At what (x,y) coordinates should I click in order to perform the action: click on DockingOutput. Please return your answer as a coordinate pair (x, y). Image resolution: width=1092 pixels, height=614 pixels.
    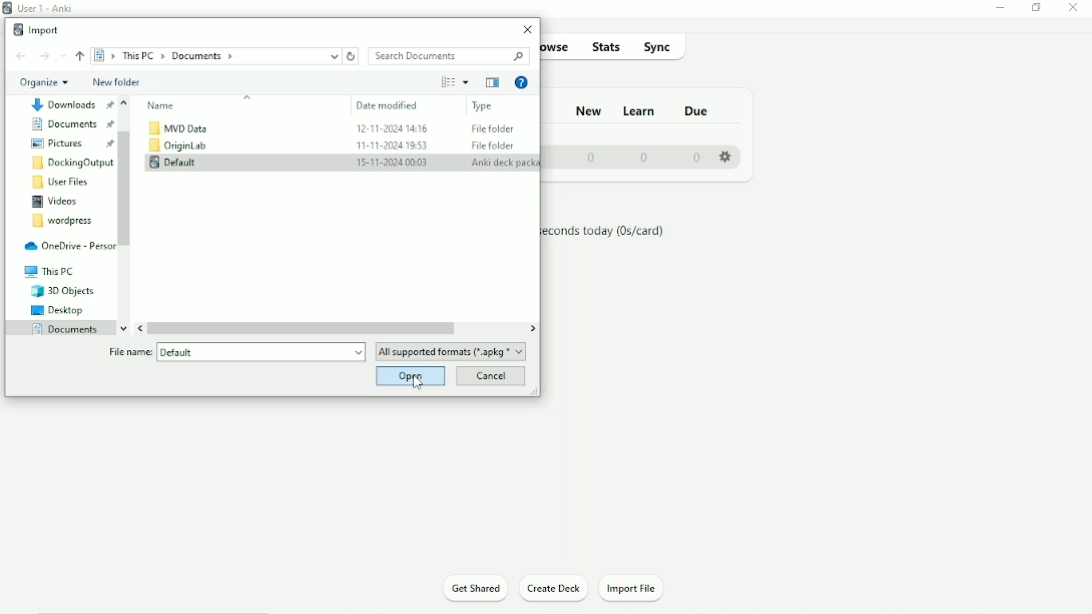
    Looking at the image, I should click on (72, 163).